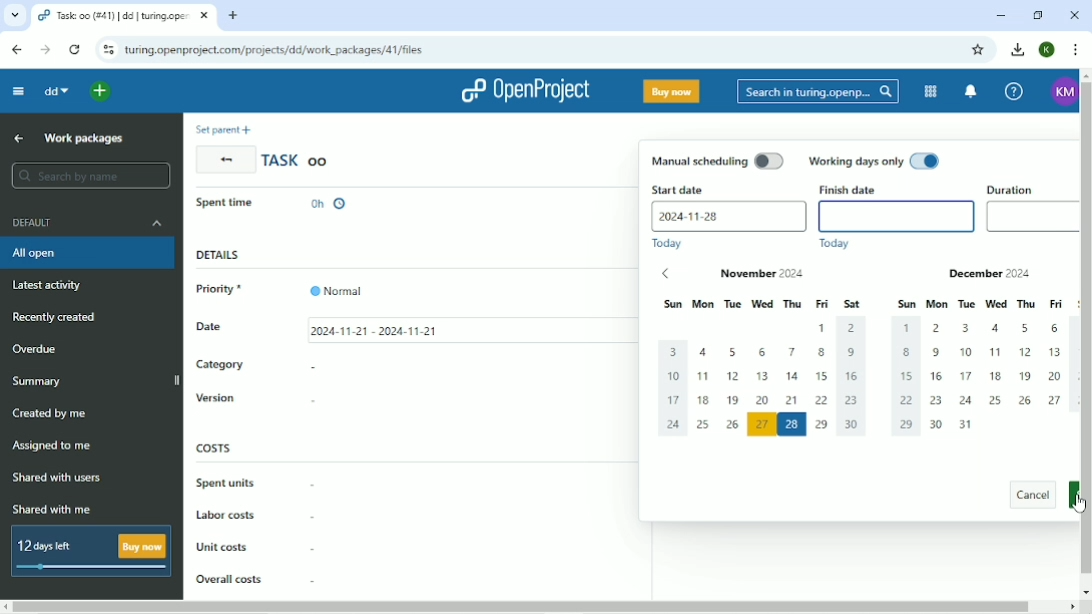 Image resolution: width=1092 pixels, height=614 pixels. What do you see at coordinates (331, 205) in the screenshot?
I see `0h` at bounding box center [331, 205].